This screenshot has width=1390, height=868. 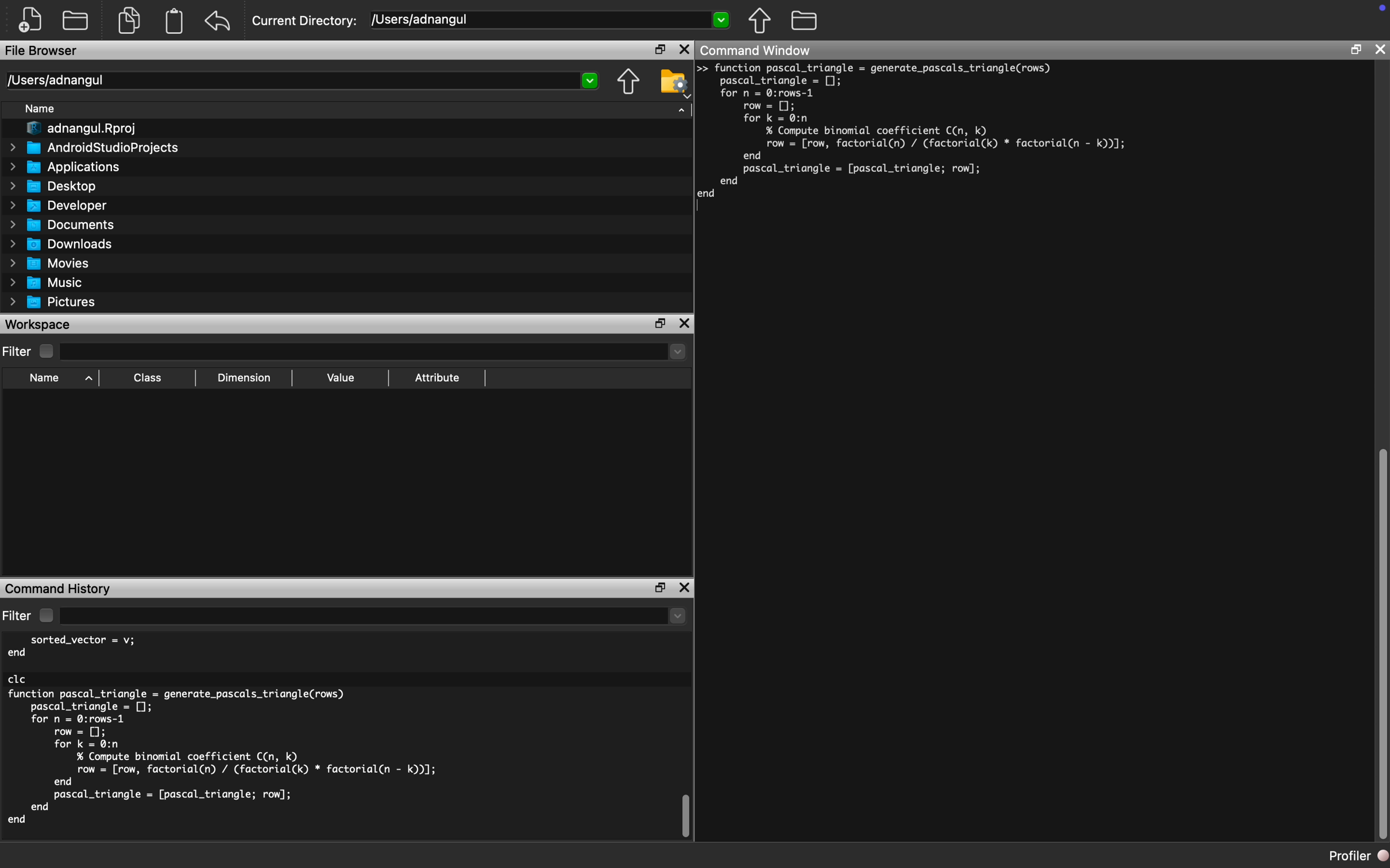 I want to click on Command Window, so click(x=758, y=49).